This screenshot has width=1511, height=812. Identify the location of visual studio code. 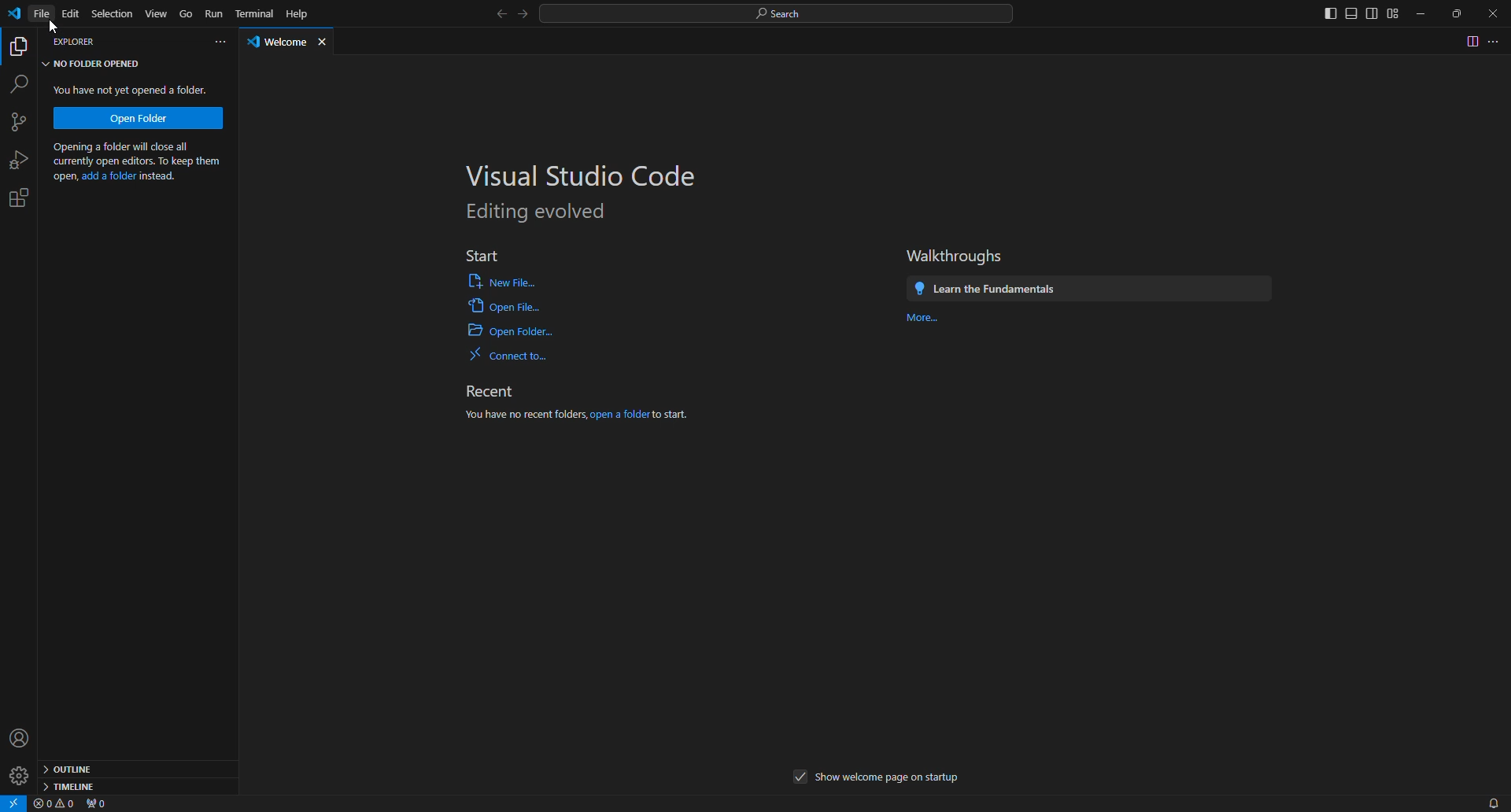
(586, 175).